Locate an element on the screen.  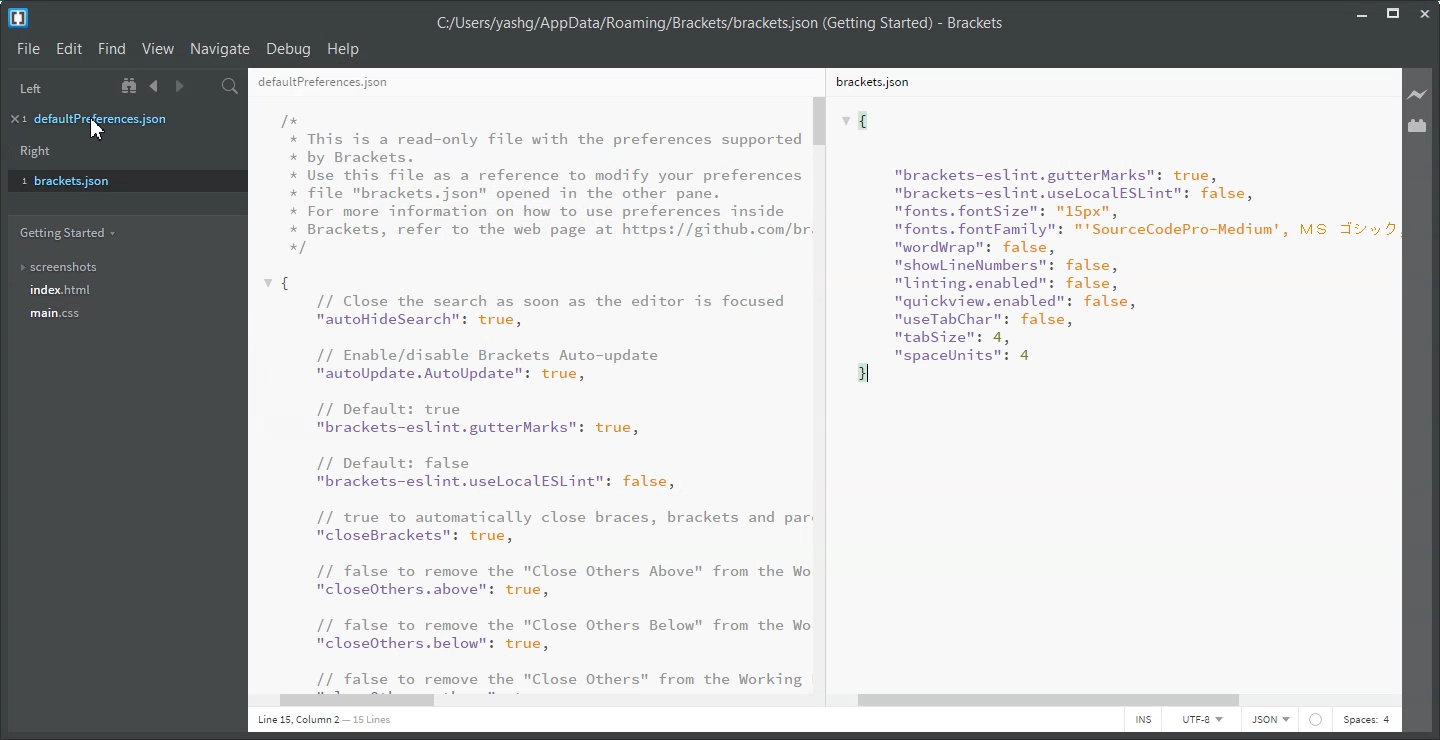
main.css is located at coordinates (121, 319).